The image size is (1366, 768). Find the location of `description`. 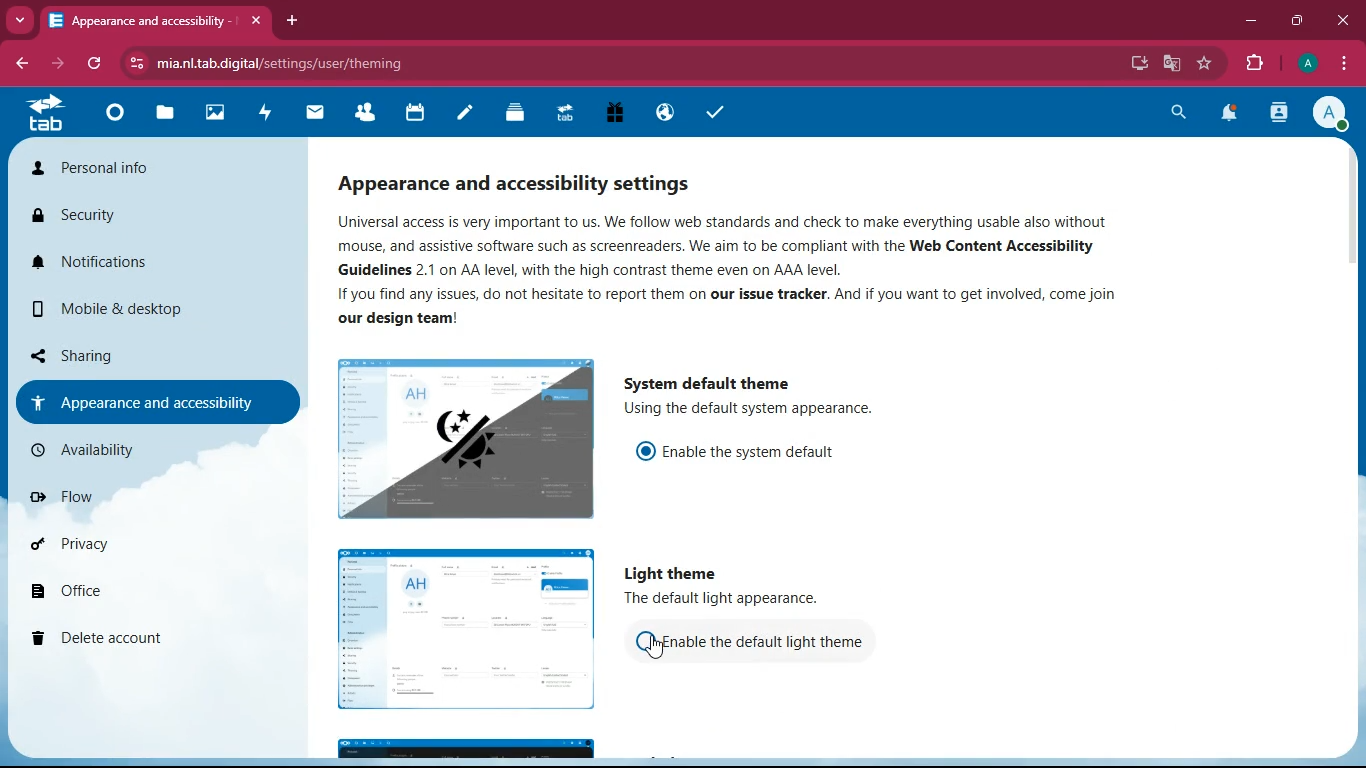

description is located at coordinates (756, 272).